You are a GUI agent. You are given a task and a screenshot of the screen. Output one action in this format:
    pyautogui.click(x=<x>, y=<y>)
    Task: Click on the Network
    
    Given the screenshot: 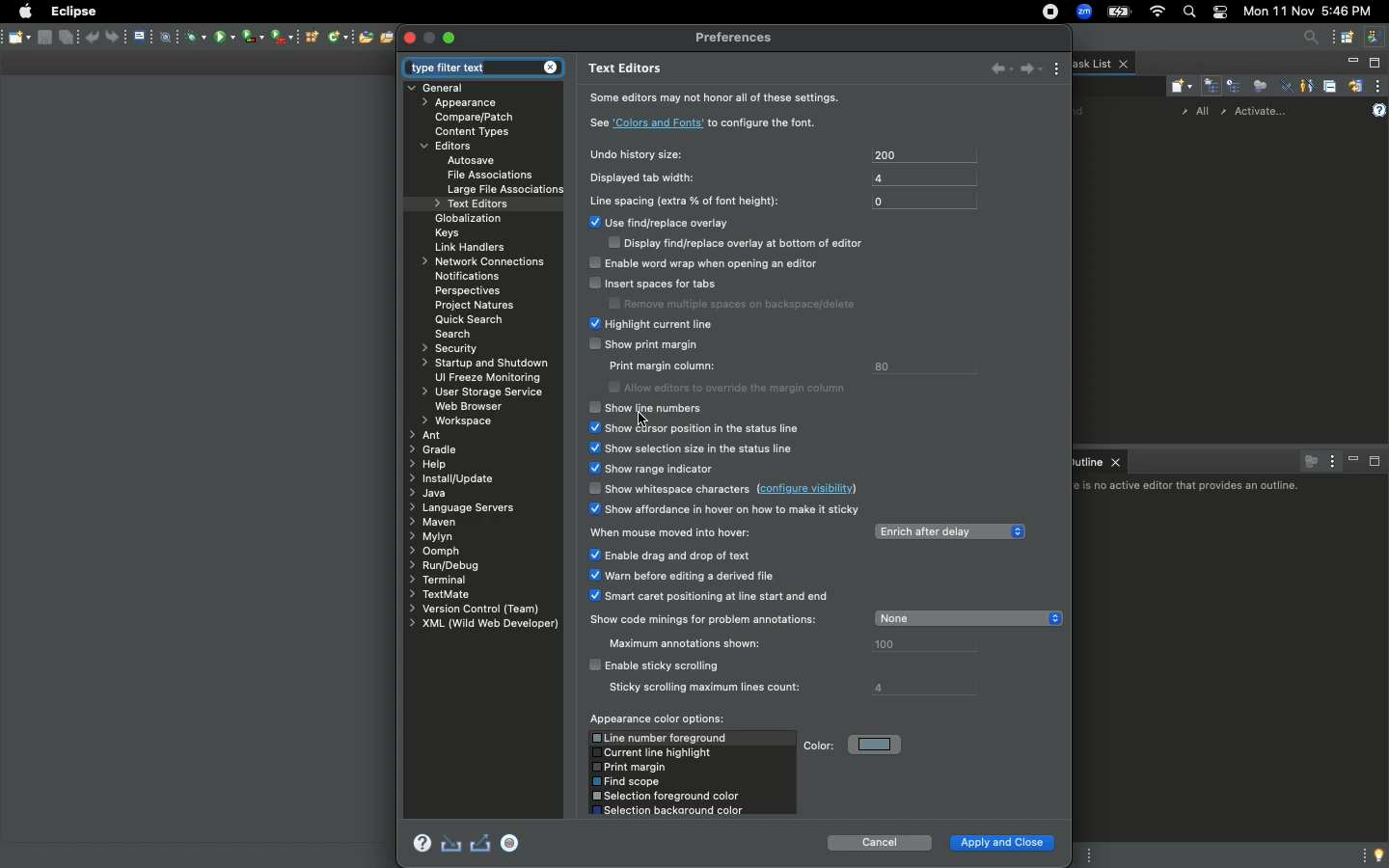 What is the action you would take?
    pyautogui.click(x=336, y=38)
    